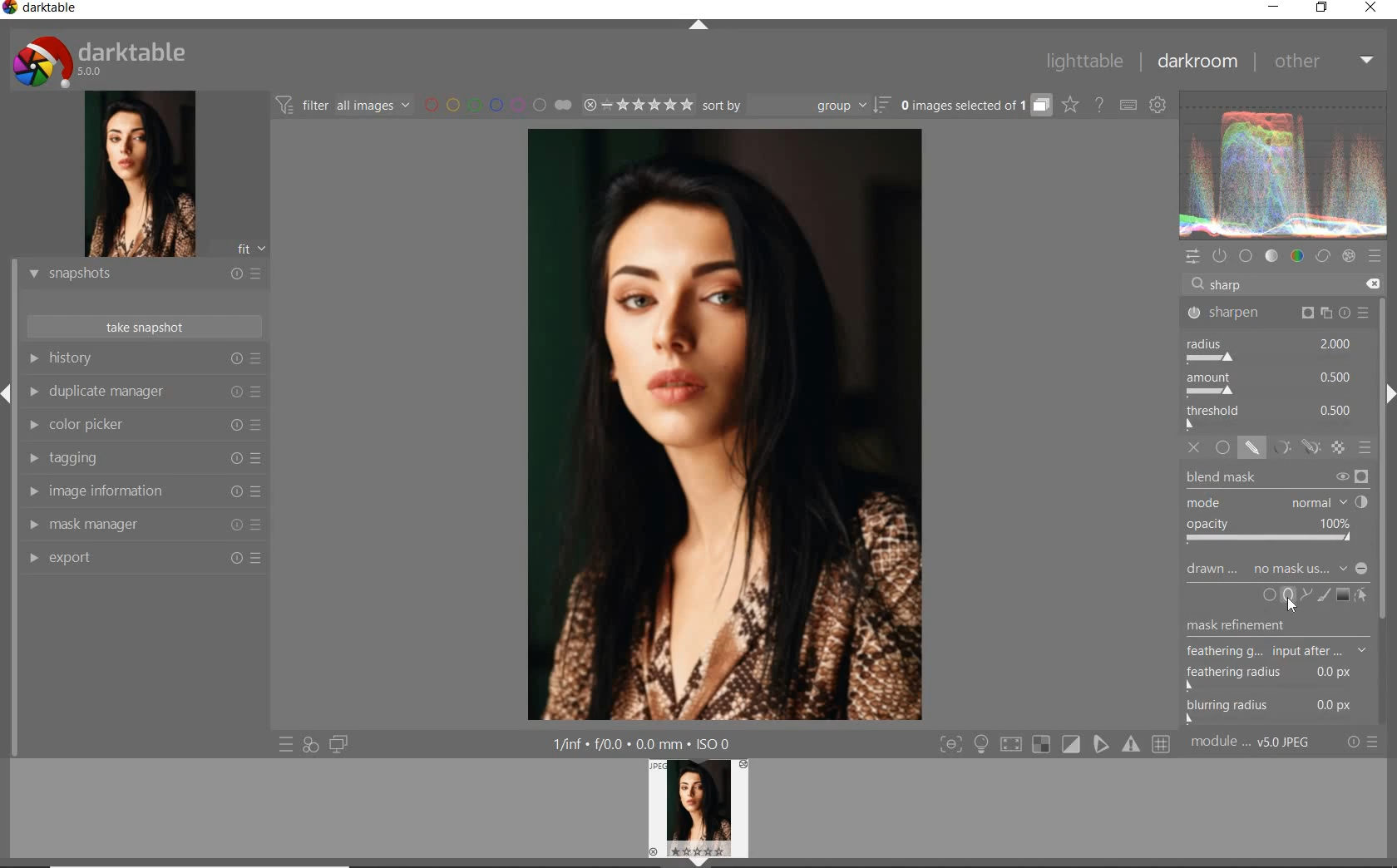 Image resolution: width=1397 pixels, height=868 pixels. What do you see at coordinates (1306, 594) in the screenshot?
I see `add path` at bounding box center [1306, 594].